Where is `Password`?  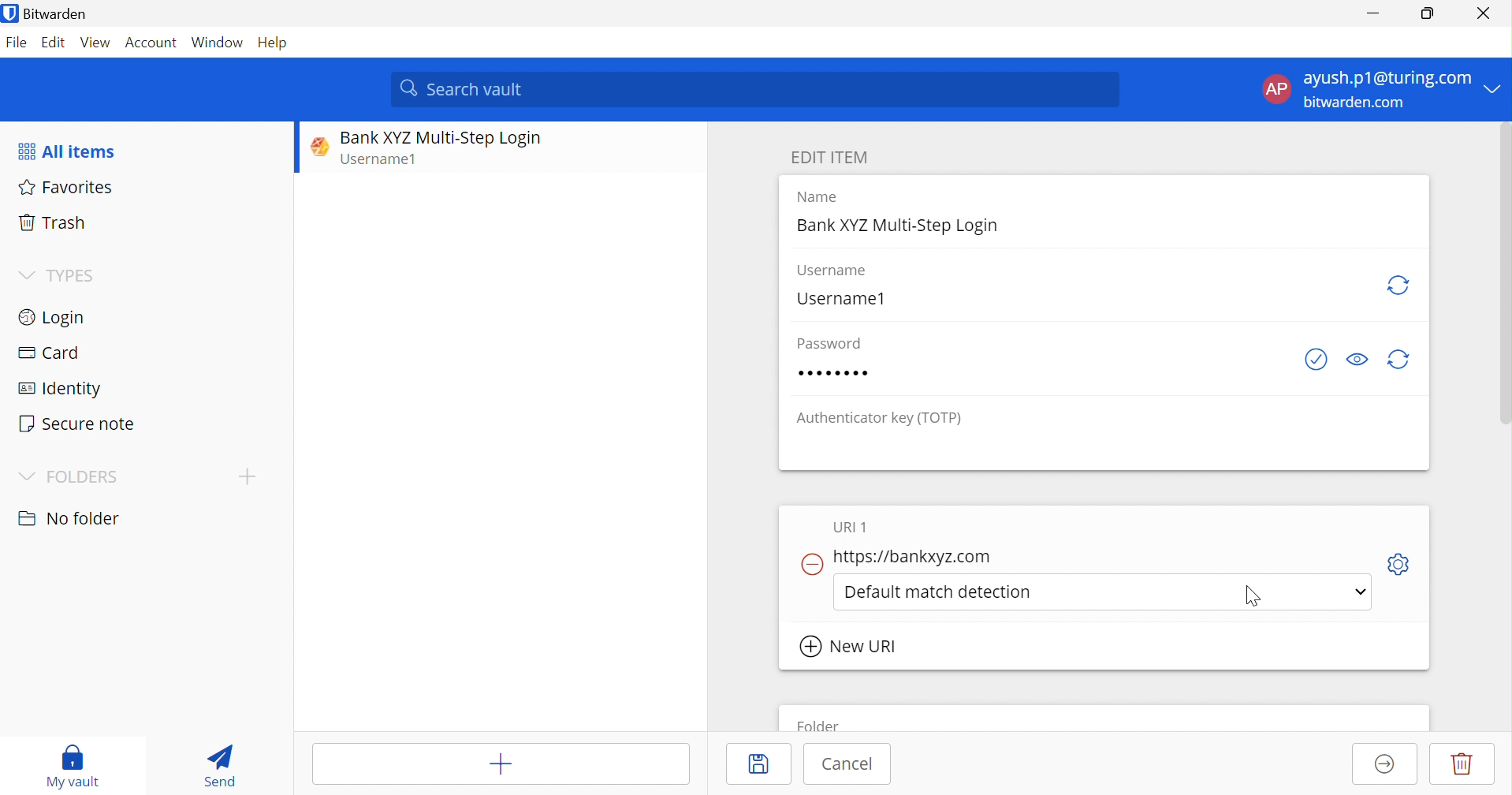
Password is located at coordinates (834, 373).